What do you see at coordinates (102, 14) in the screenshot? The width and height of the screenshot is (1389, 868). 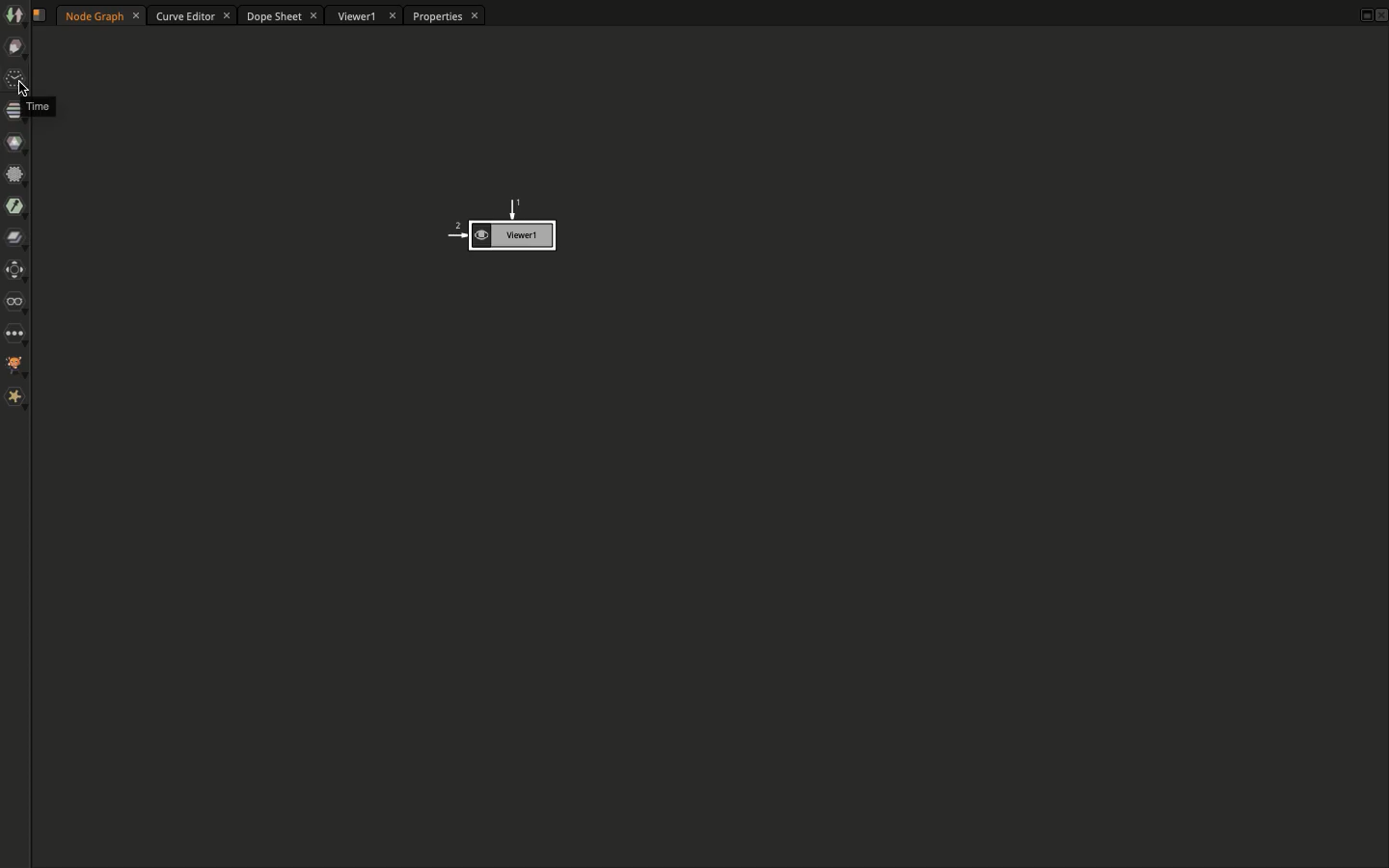 I see `Node graph` at bounding box center [102, 14].